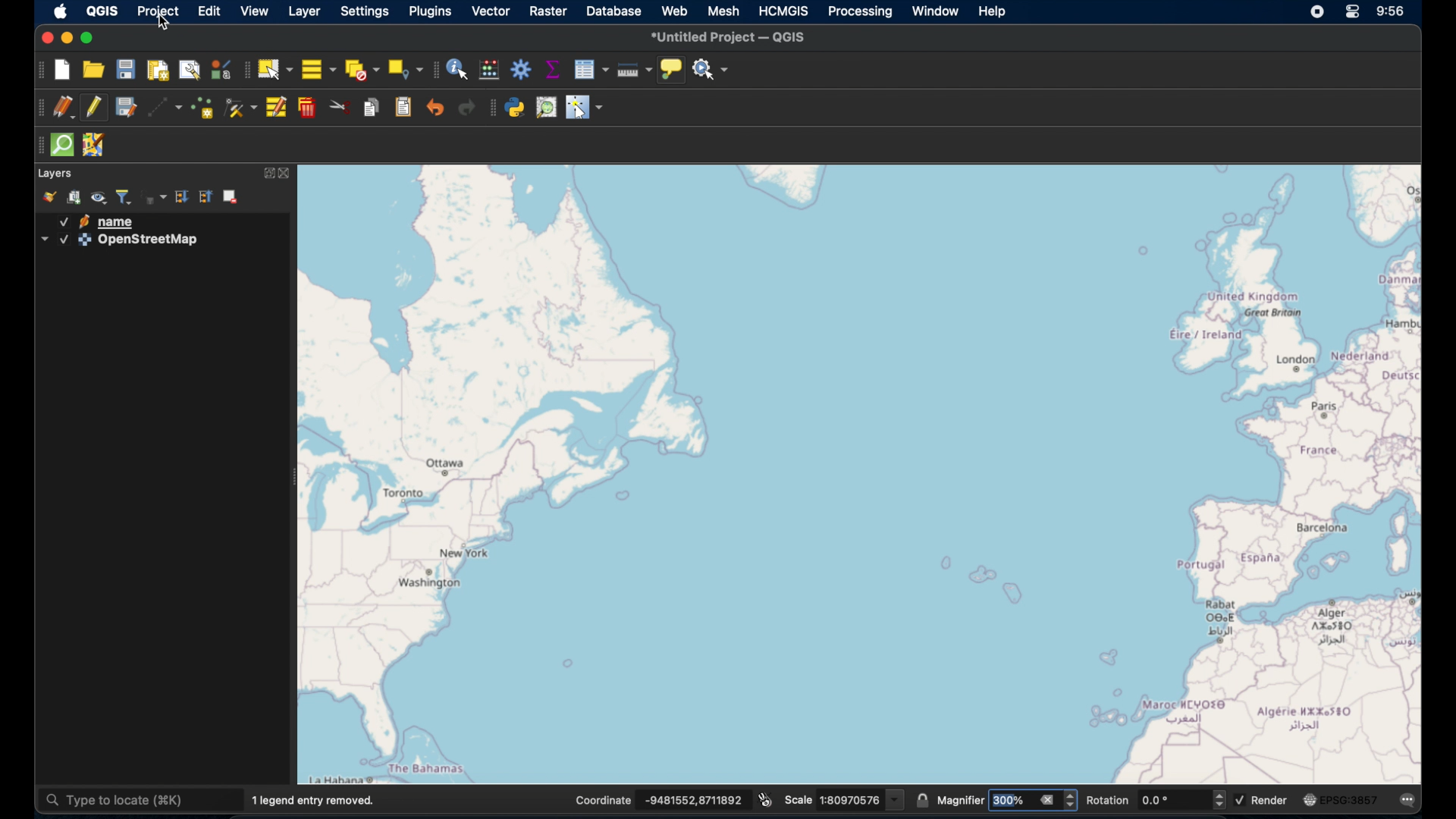 This screenshot has height=819, width=1456. Describe the element at coordinates (275, 70) in the screenshot. I see `select features by area. or single click` at that location.